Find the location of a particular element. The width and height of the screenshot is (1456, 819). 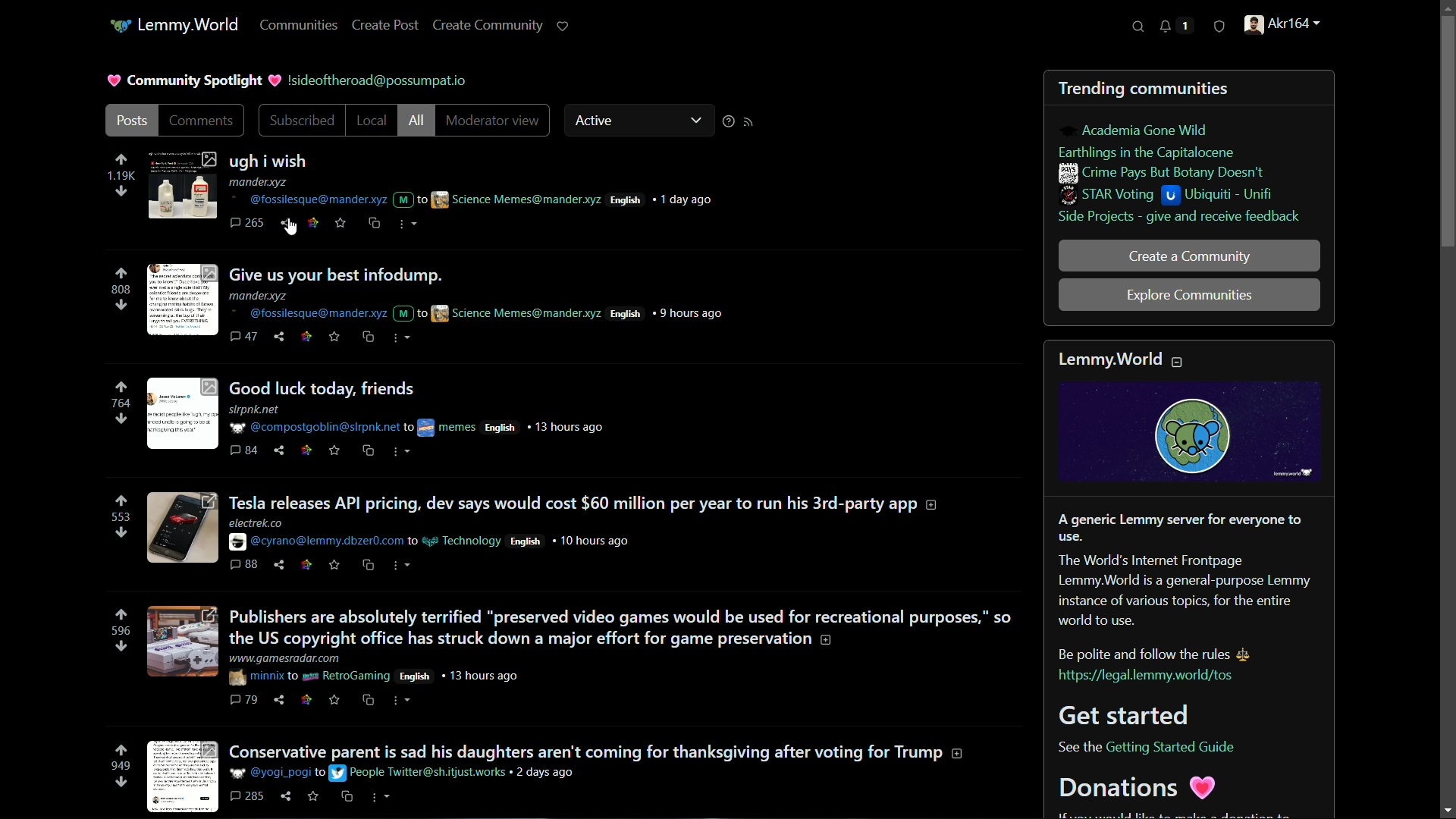

 2 days ago is located at coordinates (544, 773).